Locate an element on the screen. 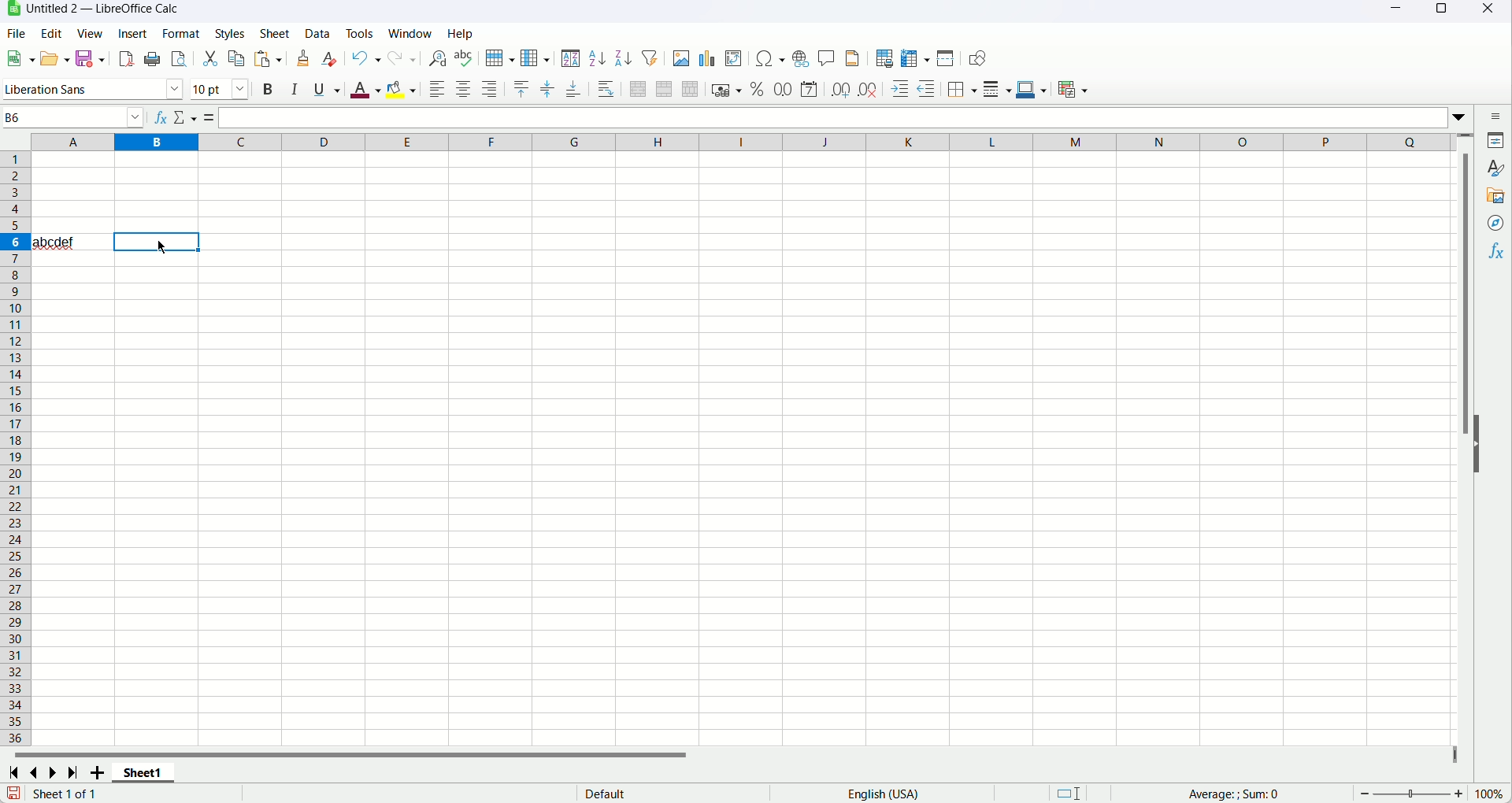  column is located at coordinates (535, 59).